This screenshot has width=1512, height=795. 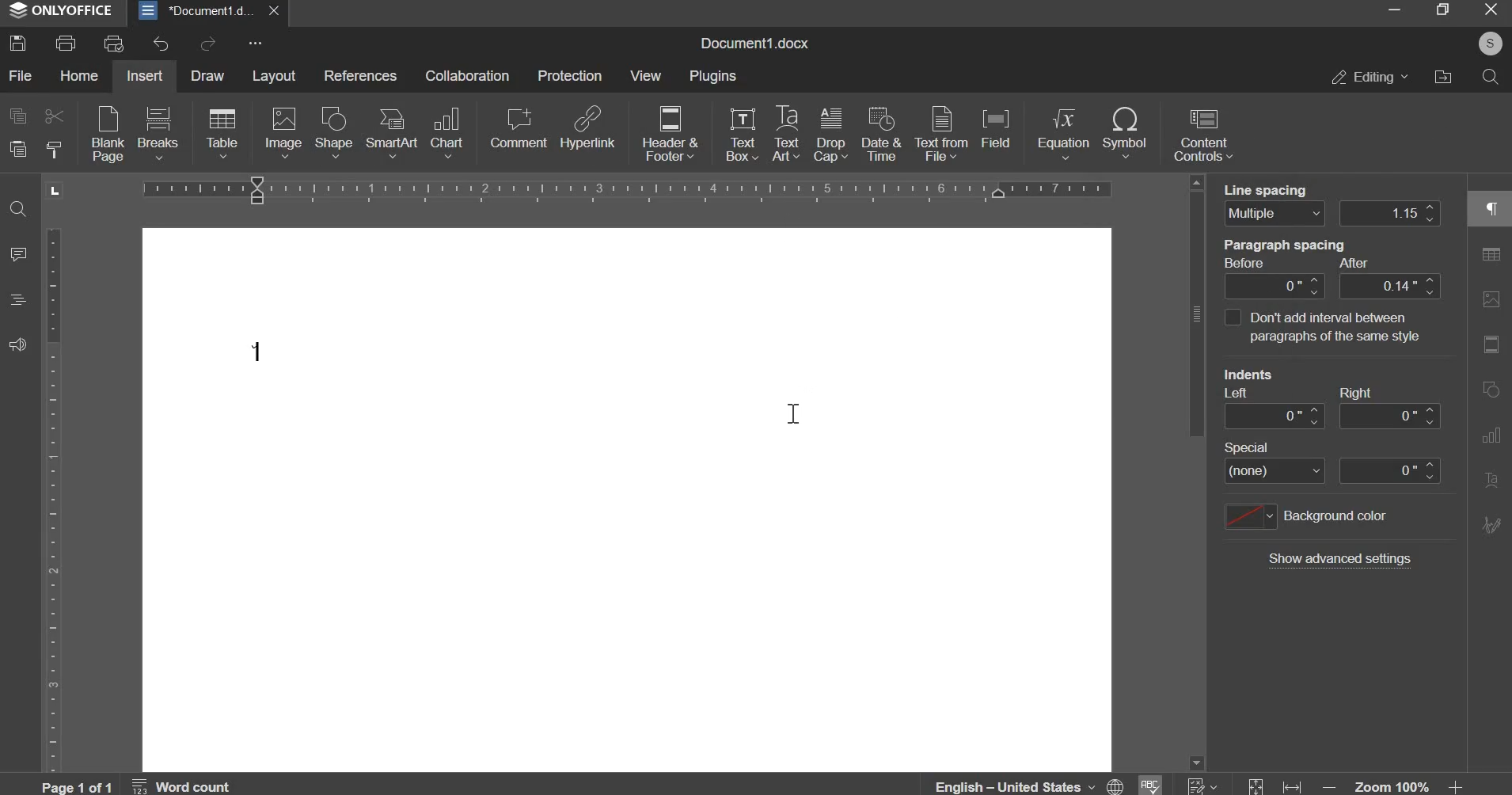 What do you see at coordinates (221, 132) in the screenshot?
I see `table` at bounding box center [221, 132].